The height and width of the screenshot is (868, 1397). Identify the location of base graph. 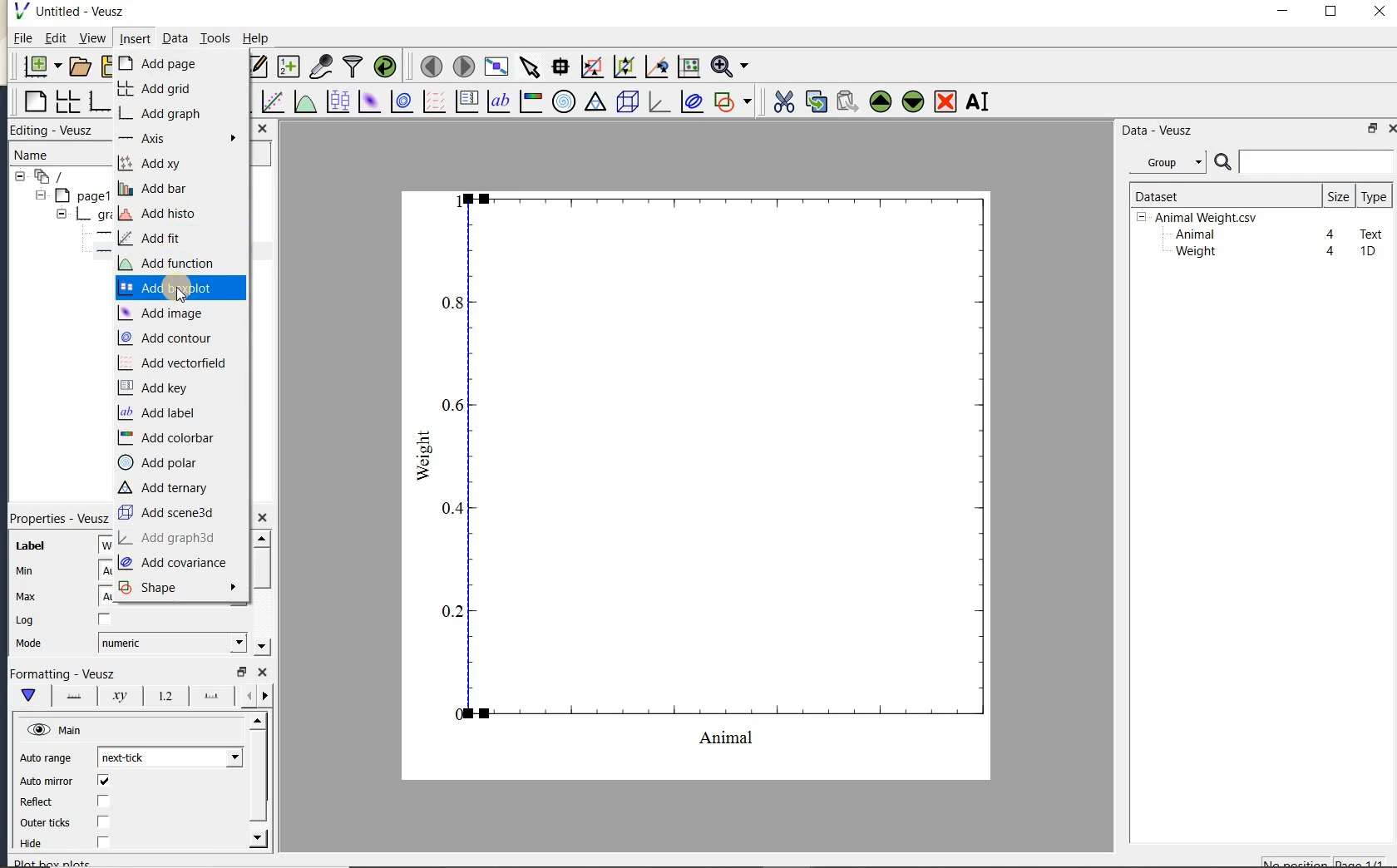
(98, 101).